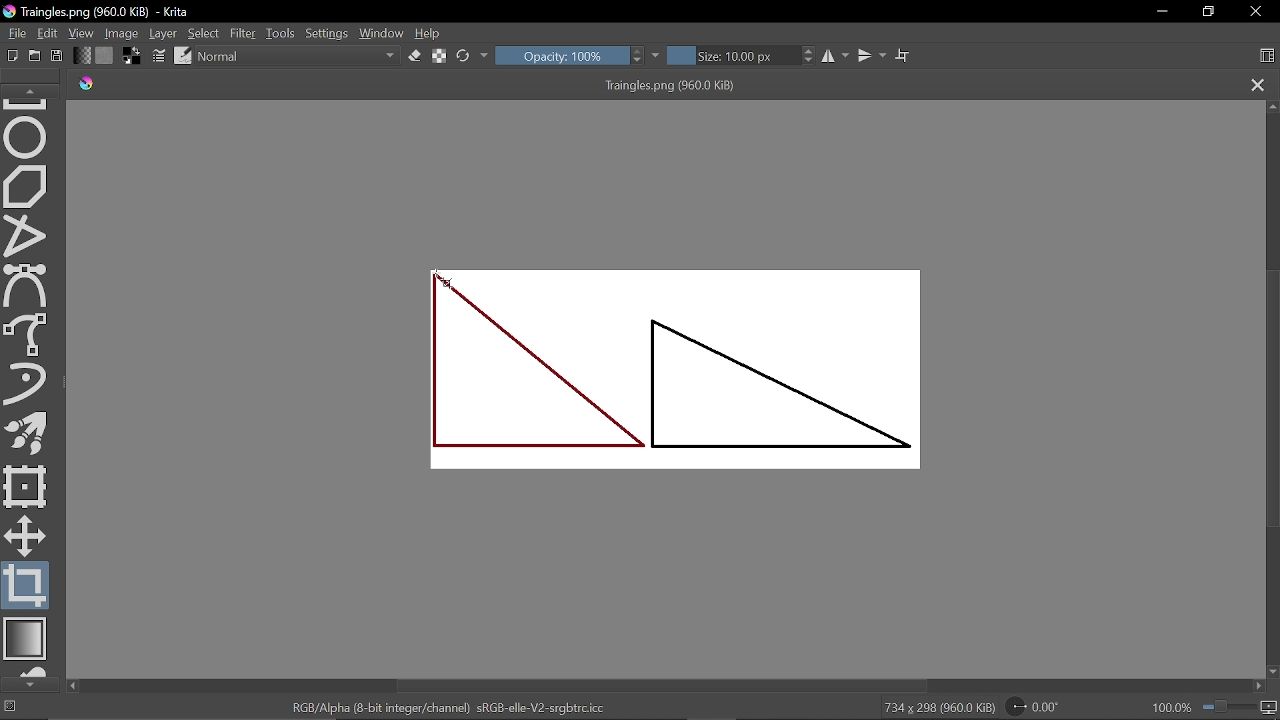 The width and height of the screenshot is (1280, 720). Describe the element at coordinates (1271, 401) in the screenshot. I see `Scroll bar` at that location.